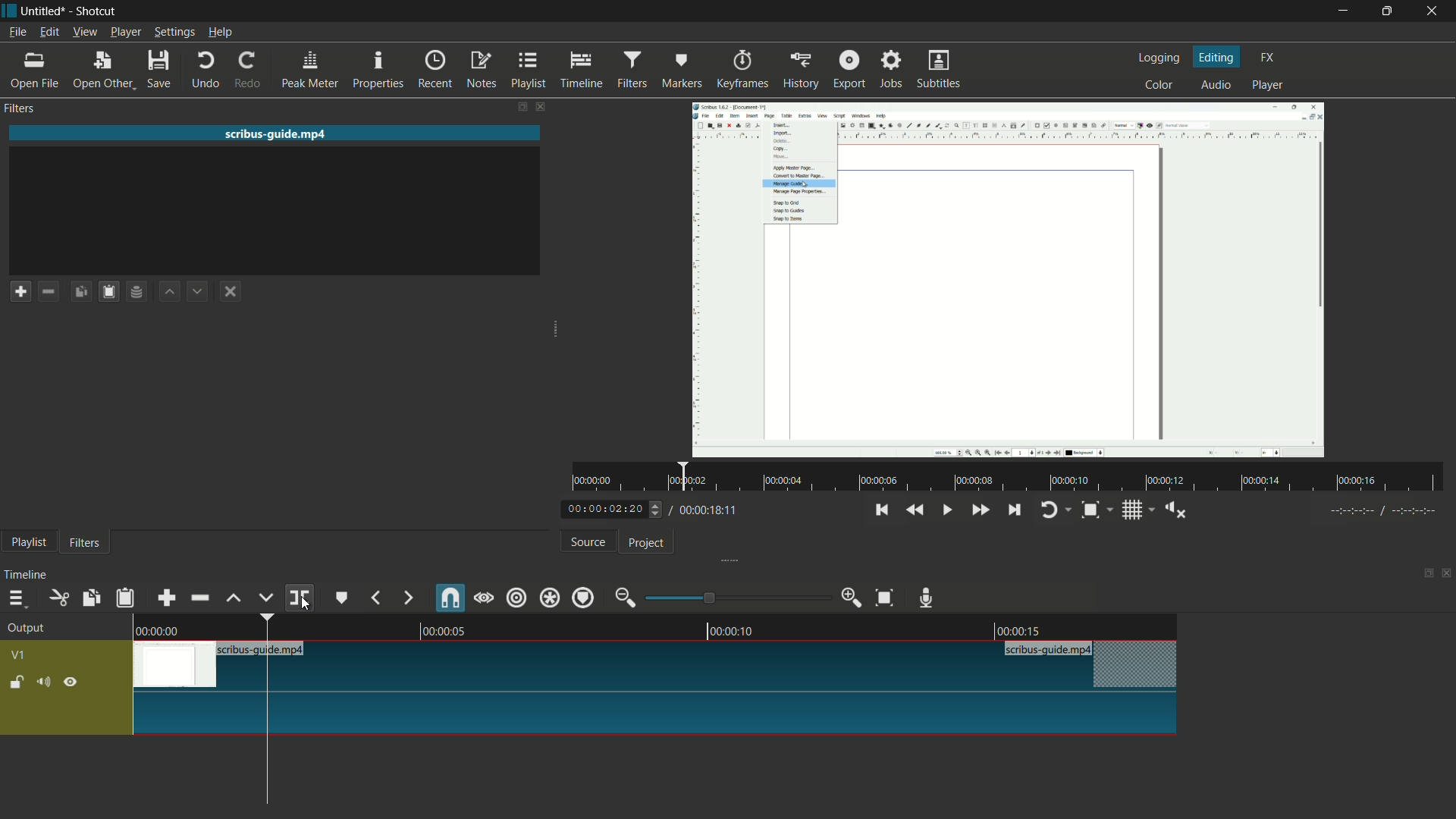  What do you see at coordinates (1050, 510) in the screenshot?
I see `toggle player looping` at bounding box center [1050, 510].